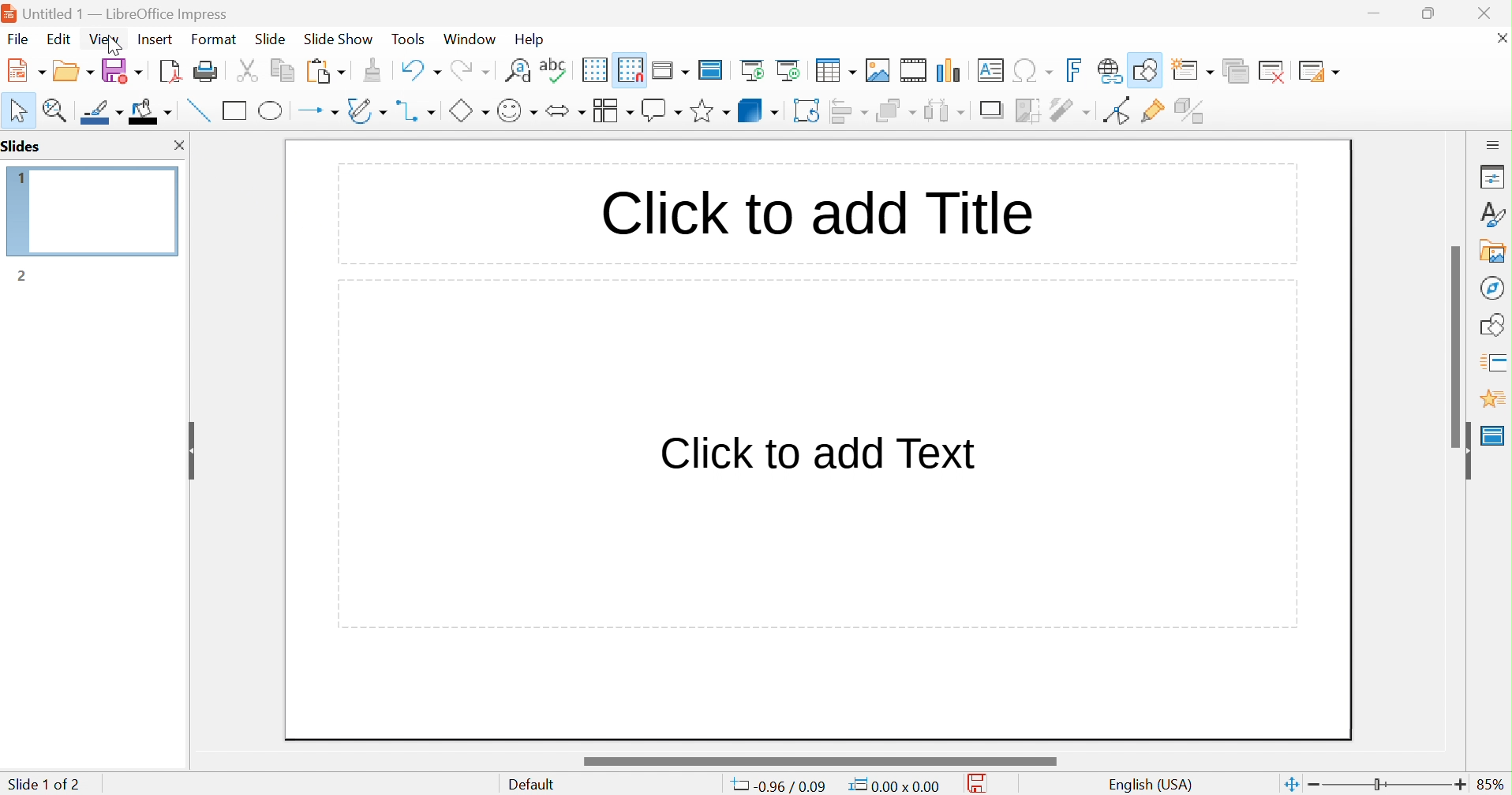 The height and width of the screenshot is (795, 1512). I want to click on cut, so click(247, 70).